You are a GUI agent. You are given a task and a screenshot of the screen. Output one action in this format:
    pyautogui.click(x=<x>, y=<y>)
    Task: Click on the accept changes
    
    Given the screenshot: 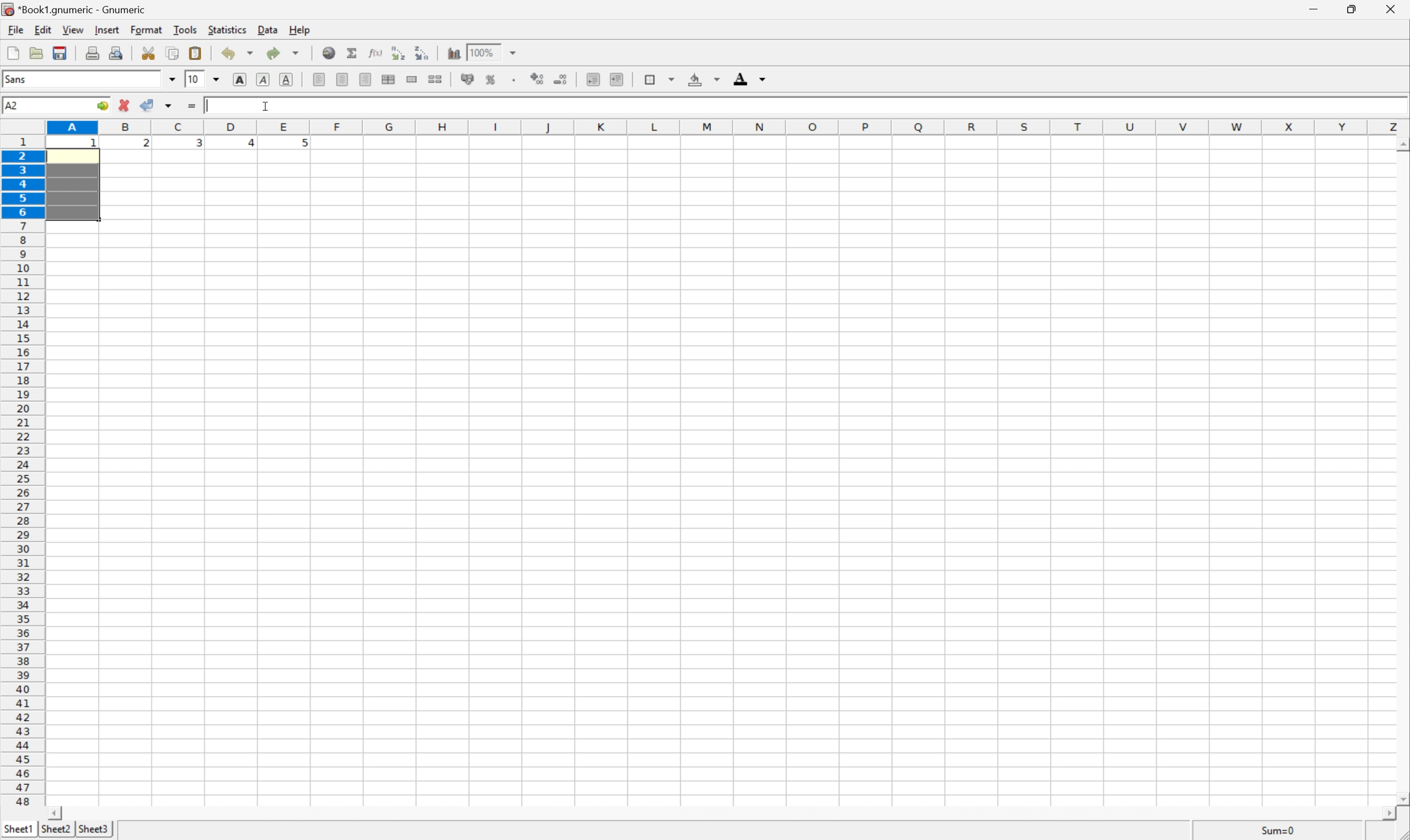 What is the action you would take?
    pyautogui.click(x=148, y=105)
    